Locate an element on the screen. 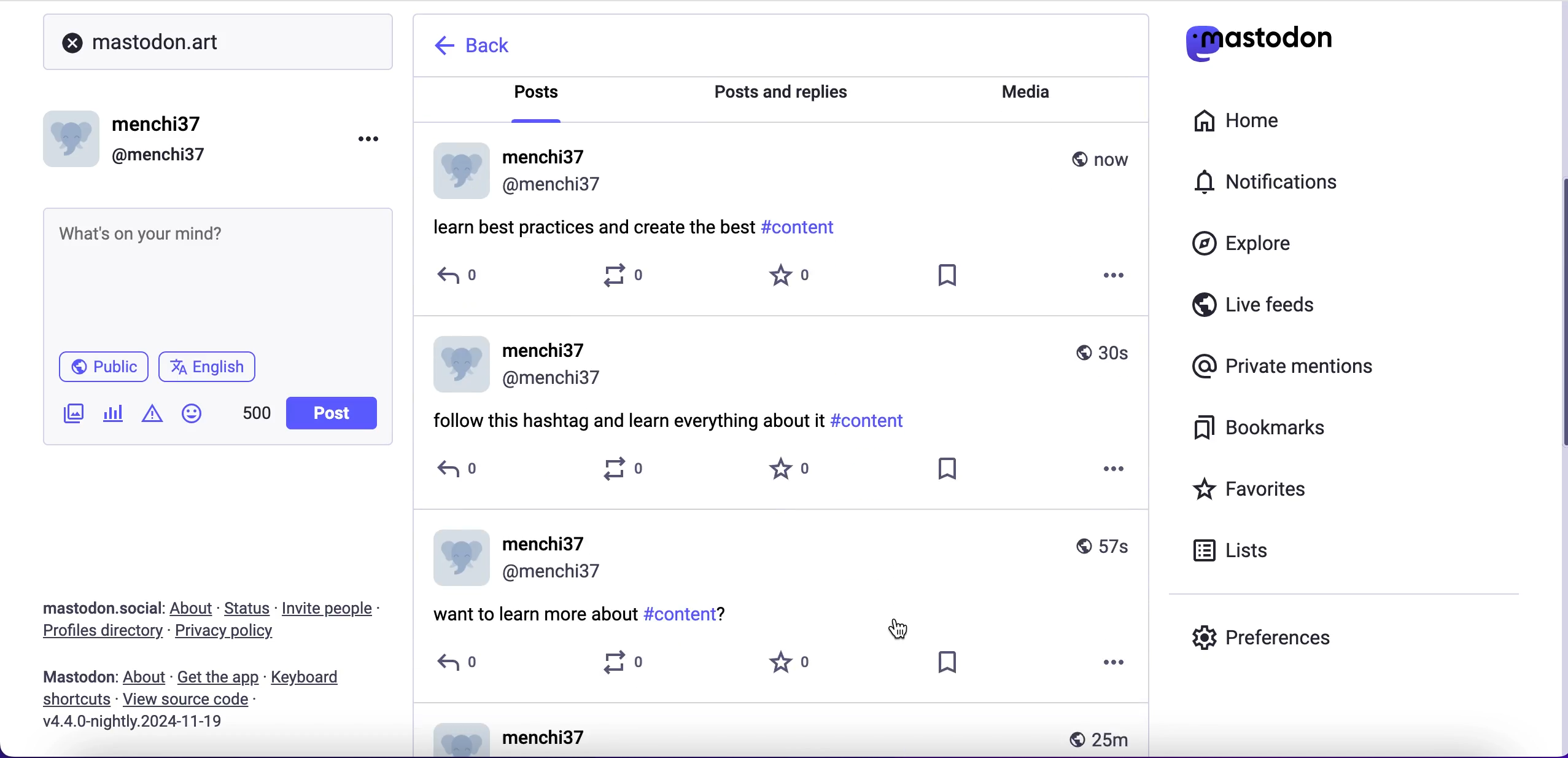 The image size is (1568, 758). invite people is located at coordinates (340, 608).